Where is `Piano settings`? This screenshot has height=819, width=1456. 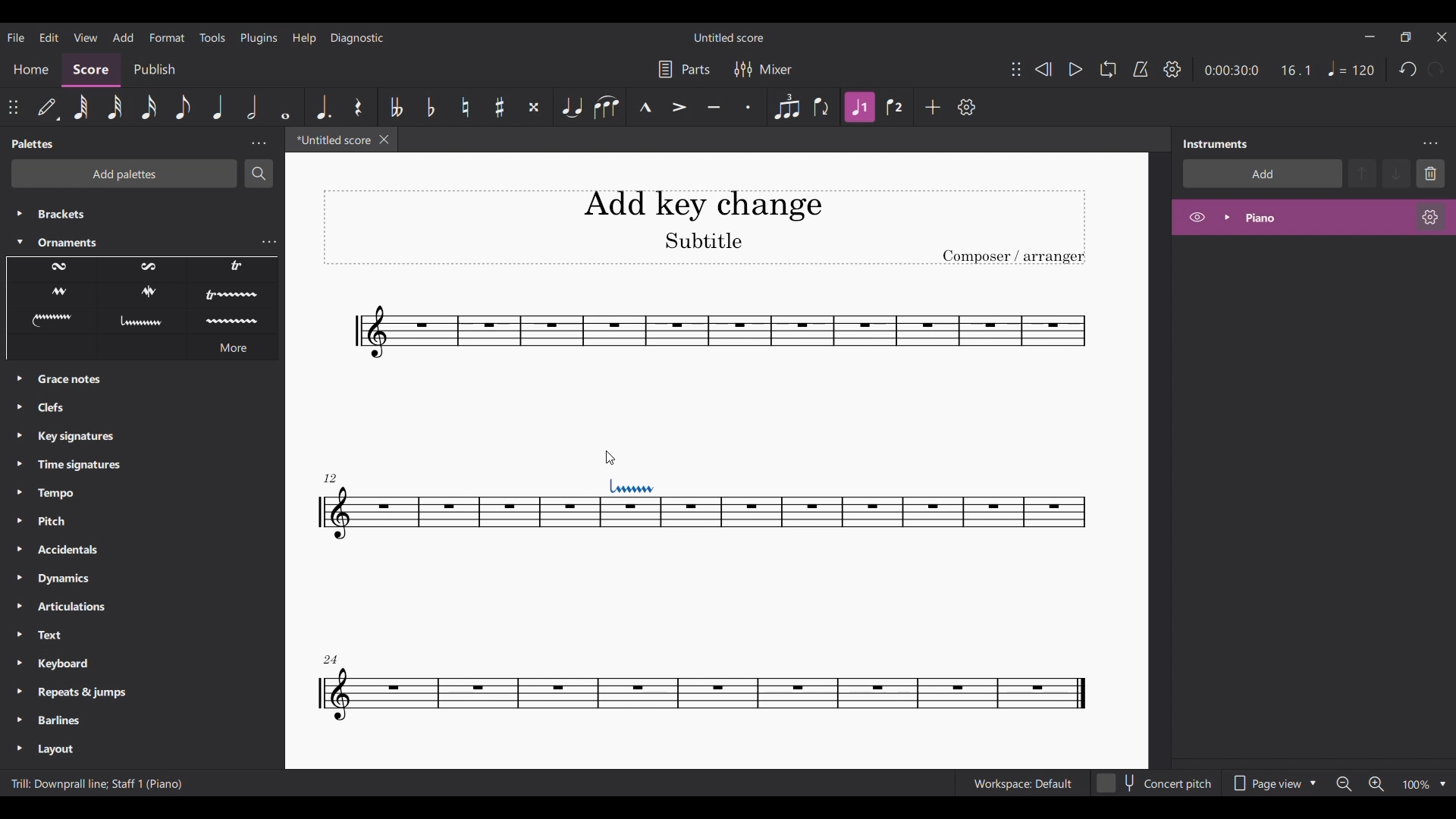
Piano settings is located at coordinates (1431, 217).